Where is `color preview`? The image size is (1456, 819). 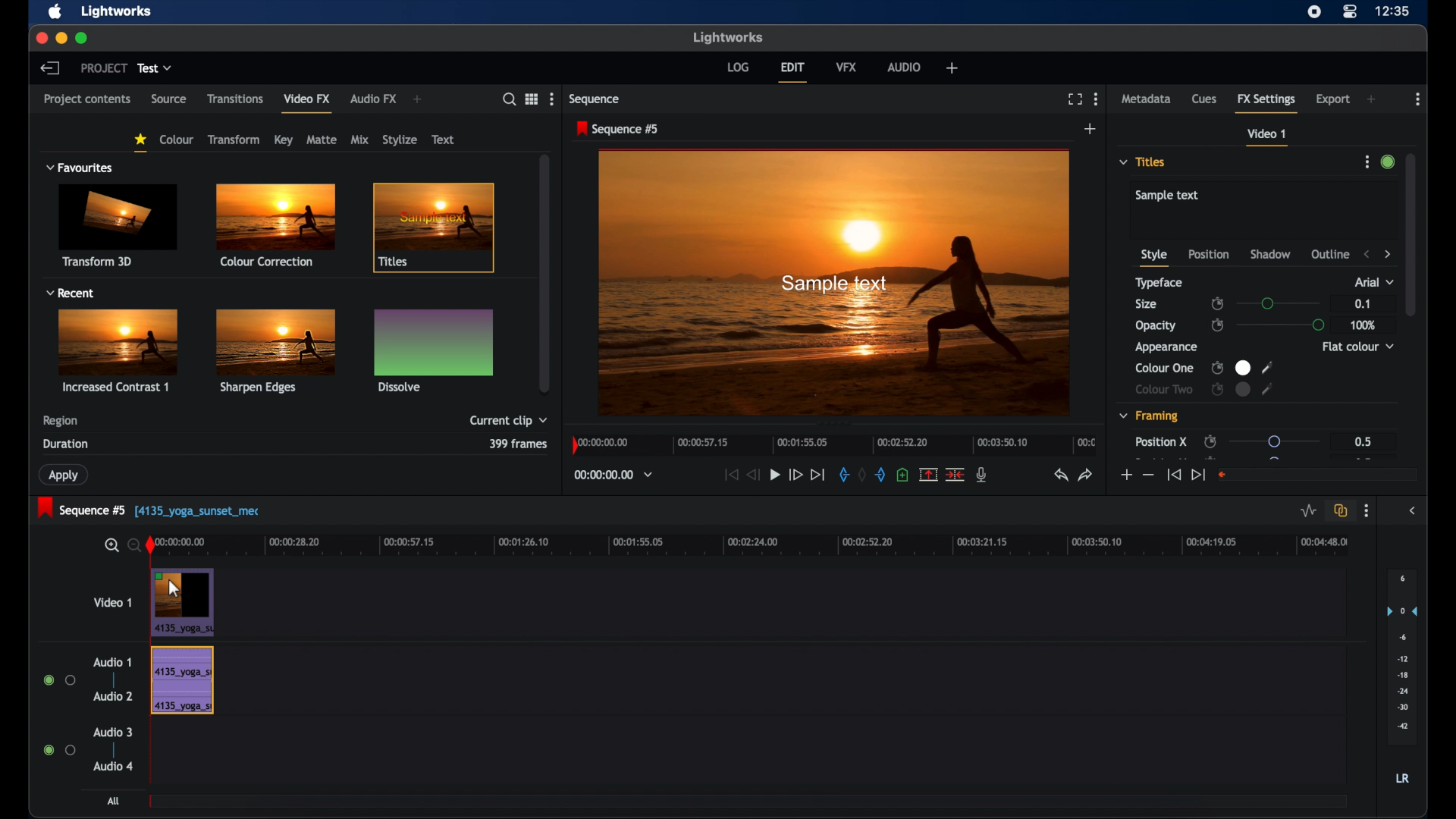 color preview is located at coordinates (1243, 367).